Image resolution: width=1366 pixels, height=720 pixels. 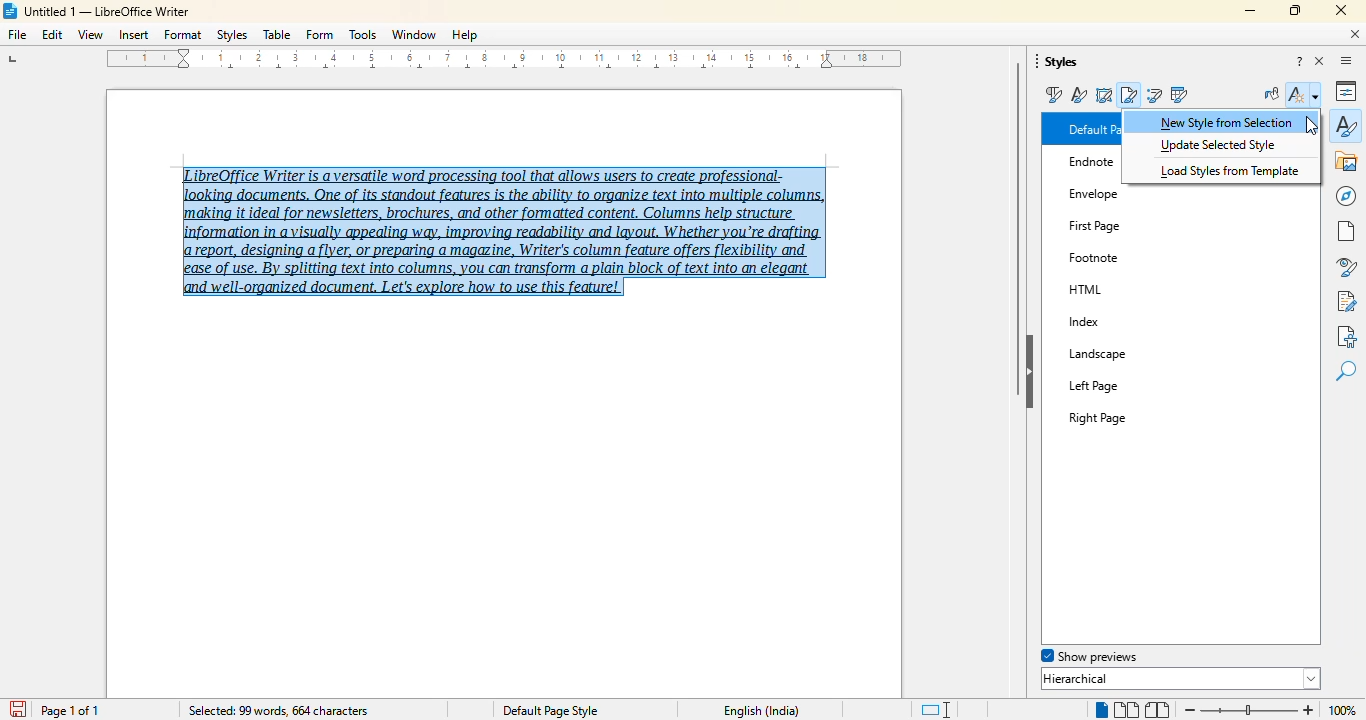 I want to click on style inspector, so click(x=1346, y=268).